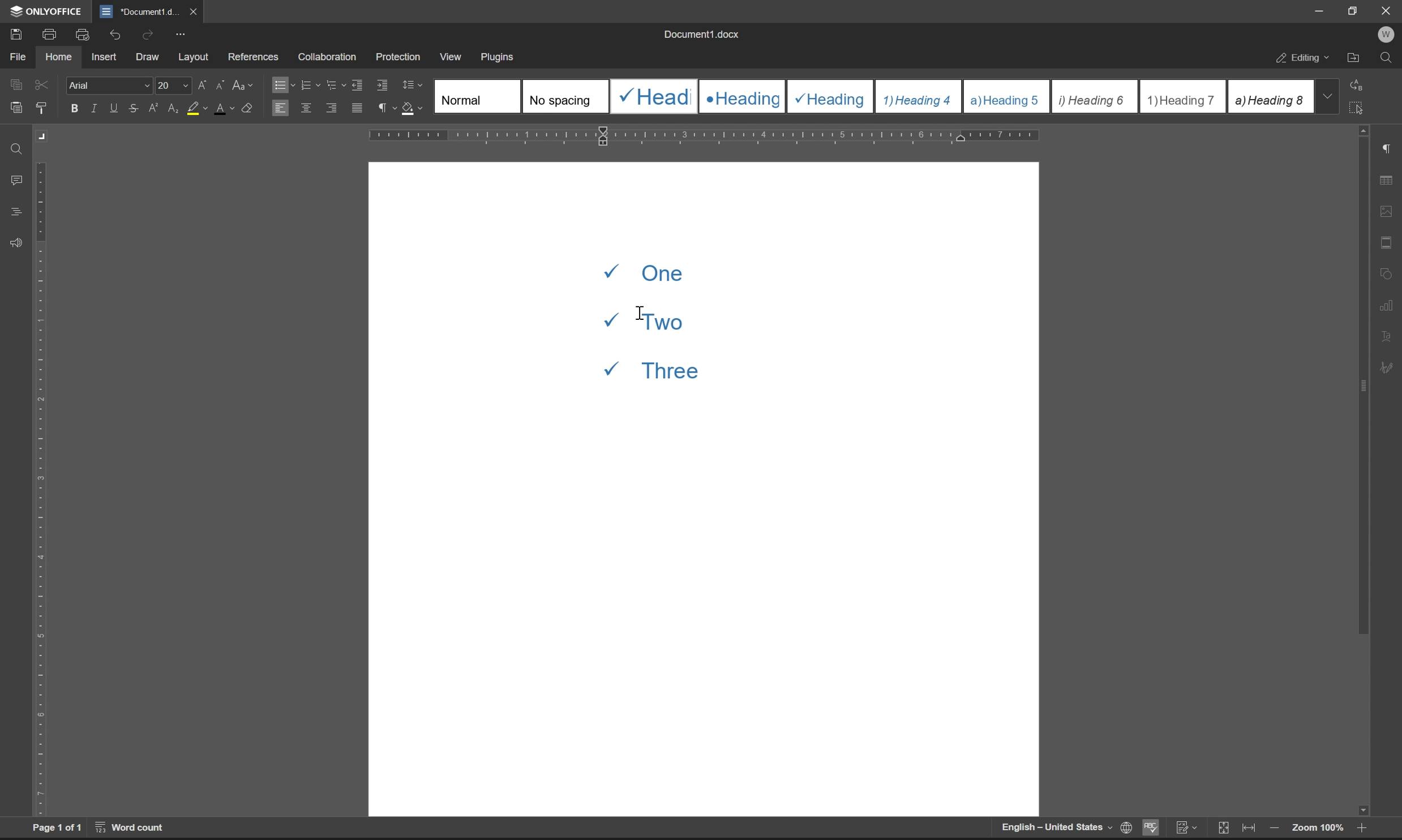 The width and height of the screenshot is (1402, 840). Describe the element at coordinates (478, 96) in the screenshot. I see `Normal` at that location.